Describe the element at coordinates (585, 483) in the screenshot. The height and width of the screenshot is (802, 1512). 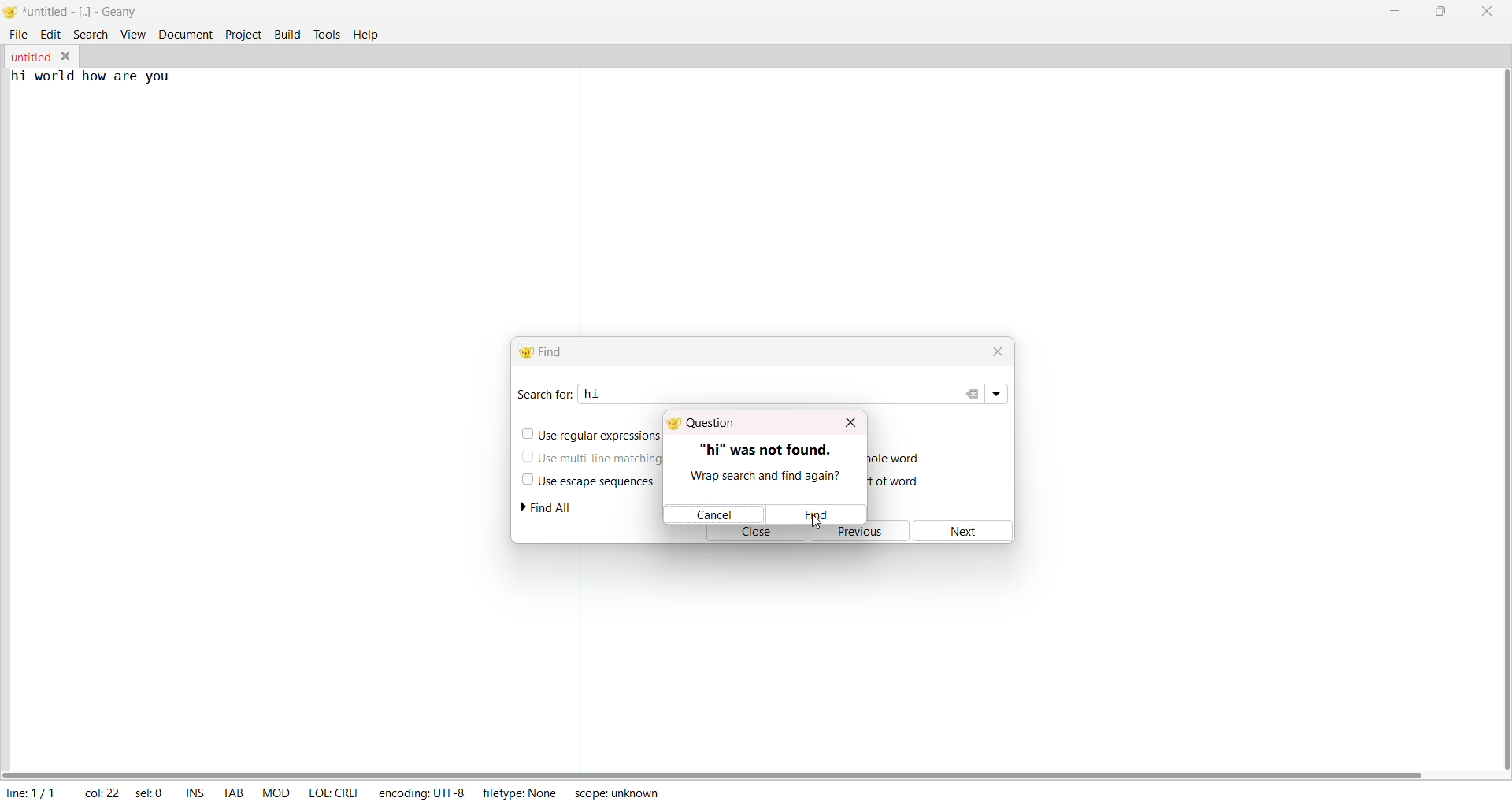
I see `use escape sequence` at that location.